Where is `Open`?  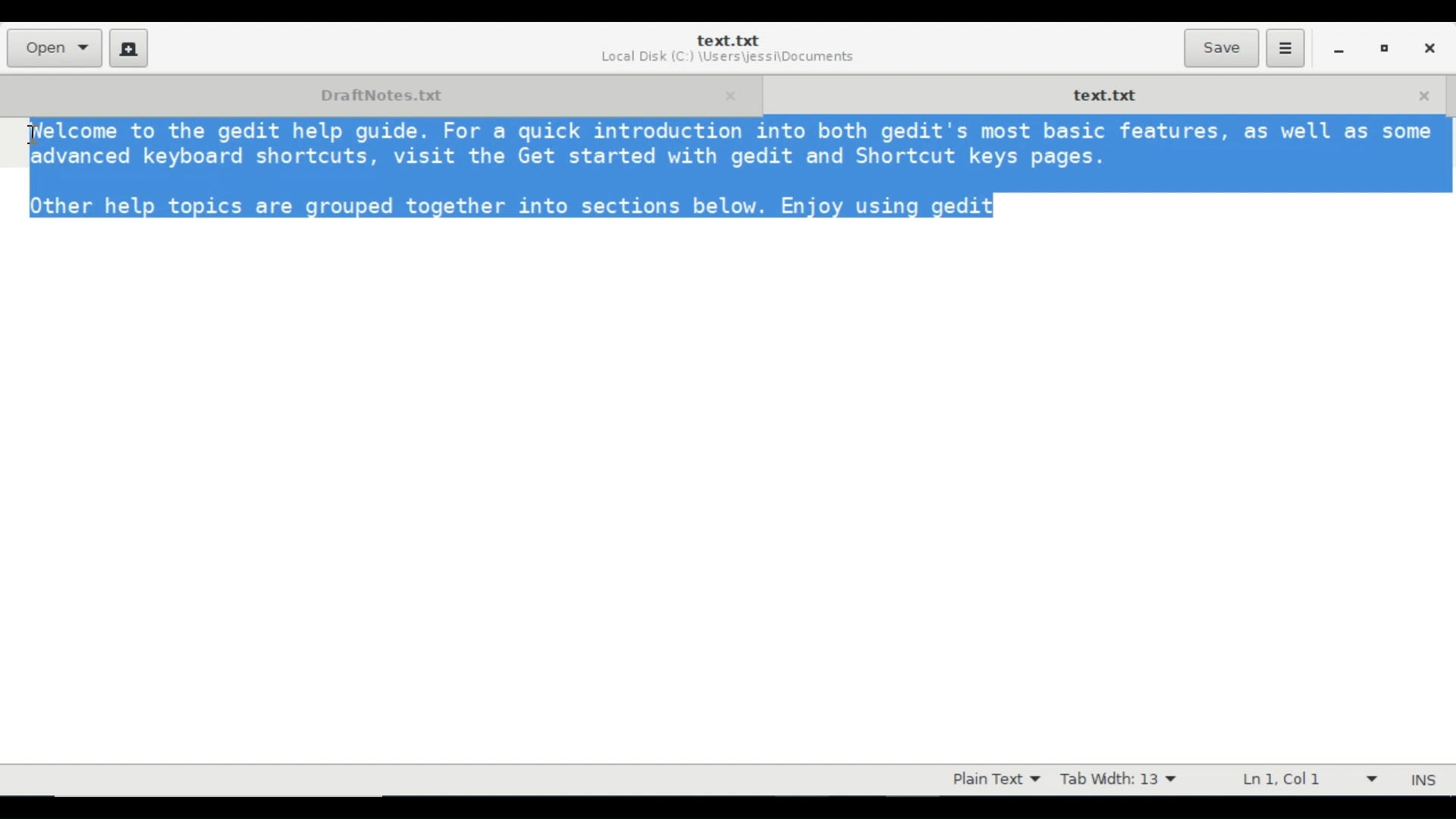 Open is located at coordinates (53, 48).